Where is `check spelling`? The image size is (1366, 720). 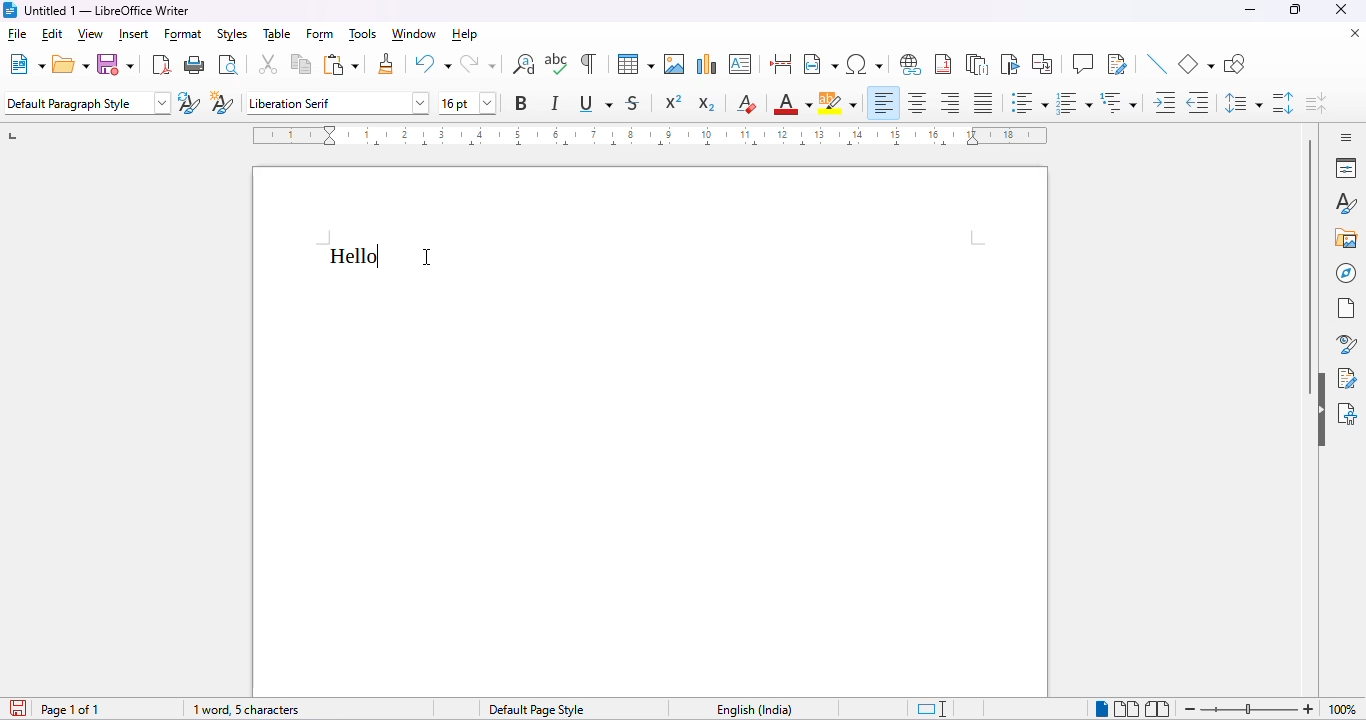
check spelling is located at coordinates (557, 63).